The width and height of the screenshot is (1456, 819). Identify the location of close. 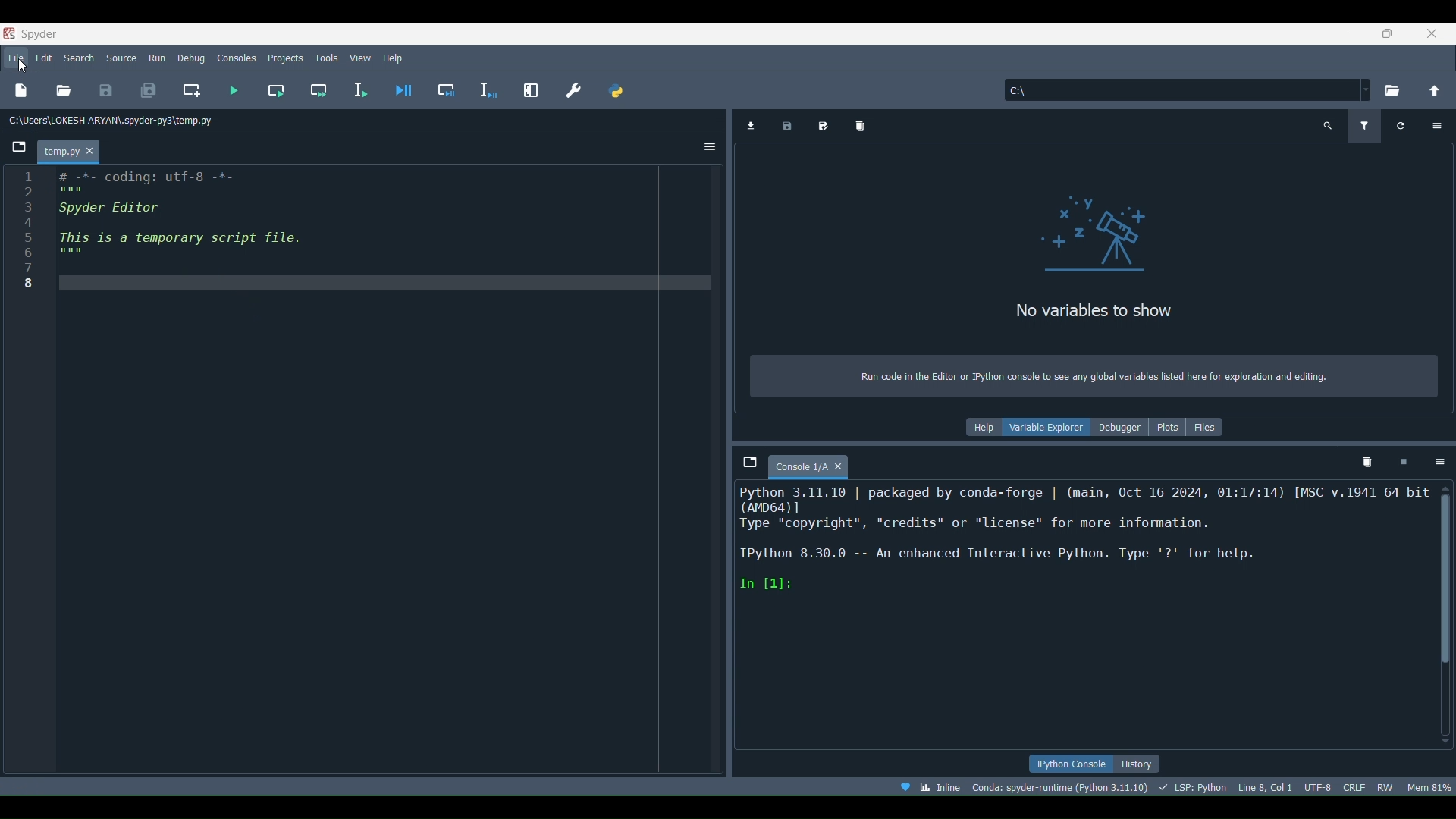
(1431, 33).